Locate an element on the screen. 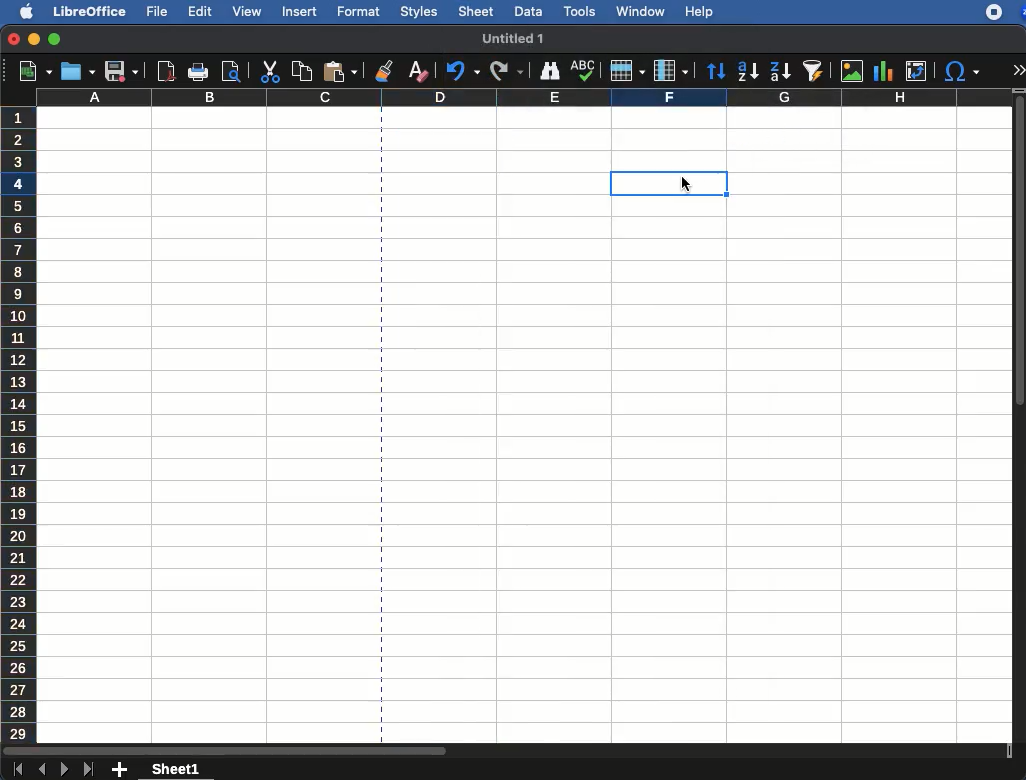 This screenshot has height=780, width=1026. pivot table is located at coordinates (916, 71).